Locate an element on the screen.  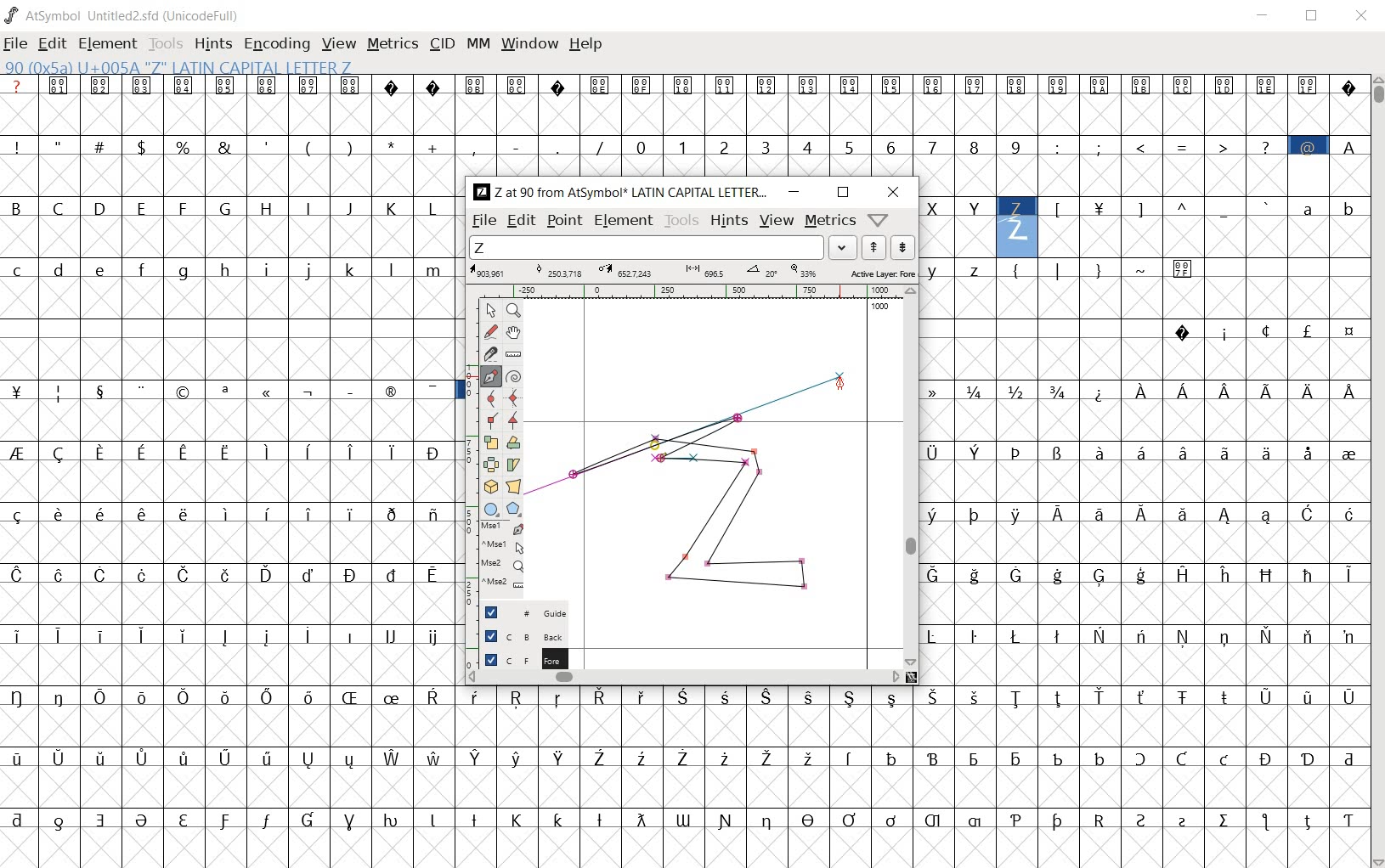
element is located at coordinates (110, 42).